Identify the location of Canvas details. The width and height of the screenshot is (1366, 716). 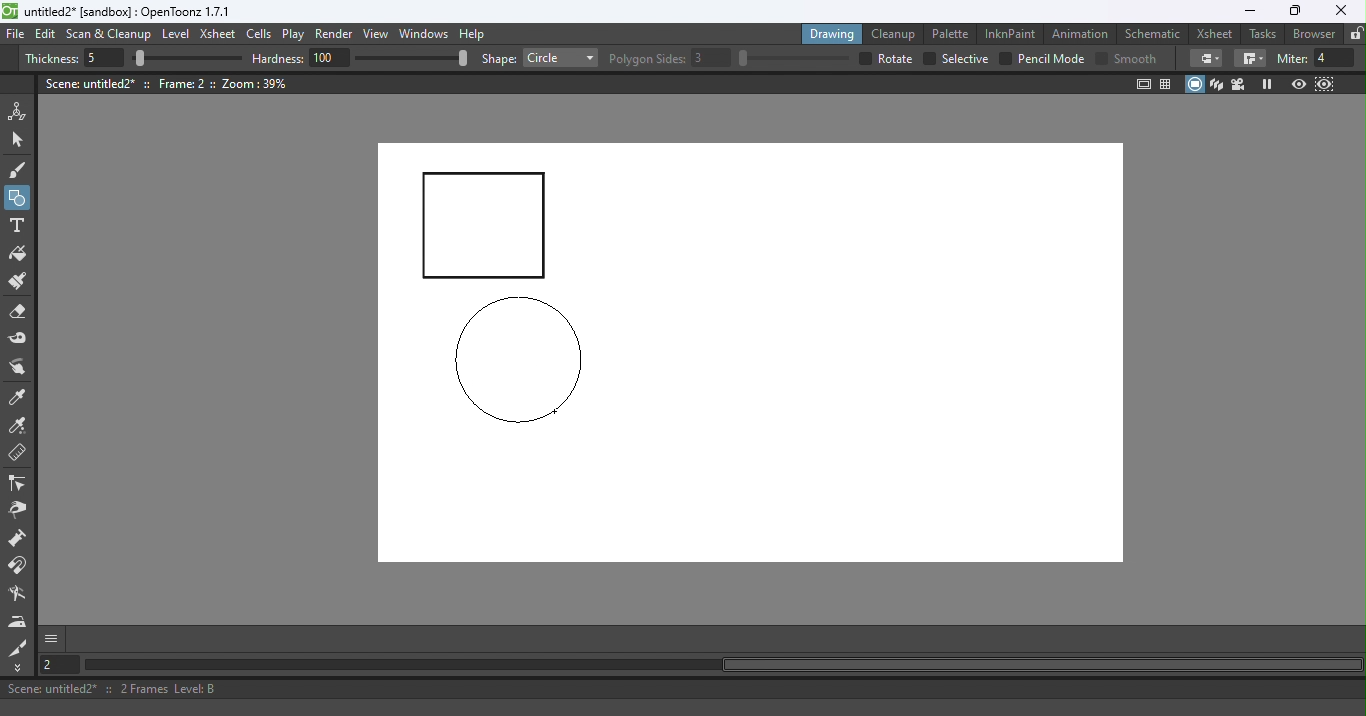
(169, 83).